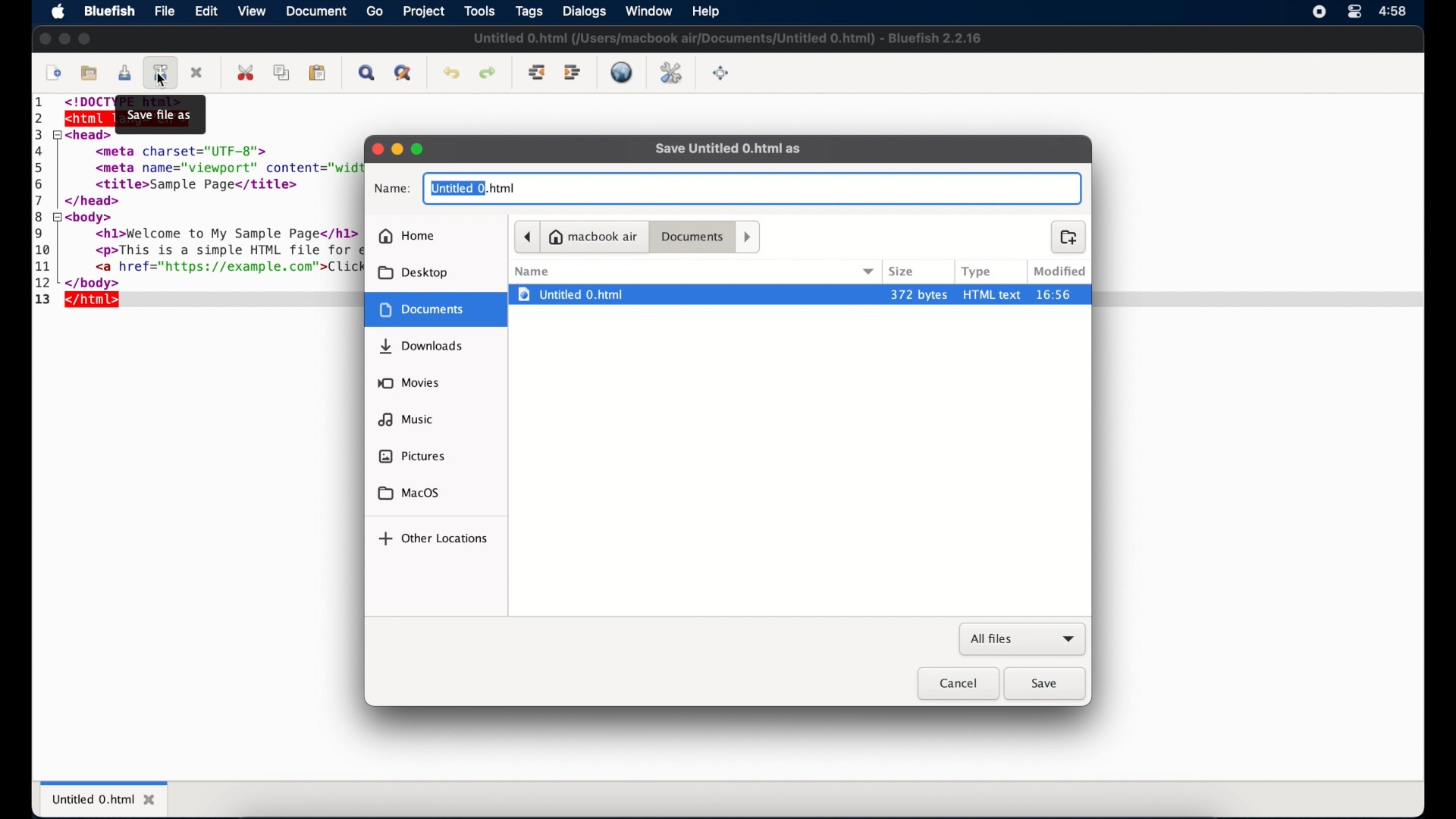 The image size is (1456, 819). I want to click on </head>, so click(93, 202).